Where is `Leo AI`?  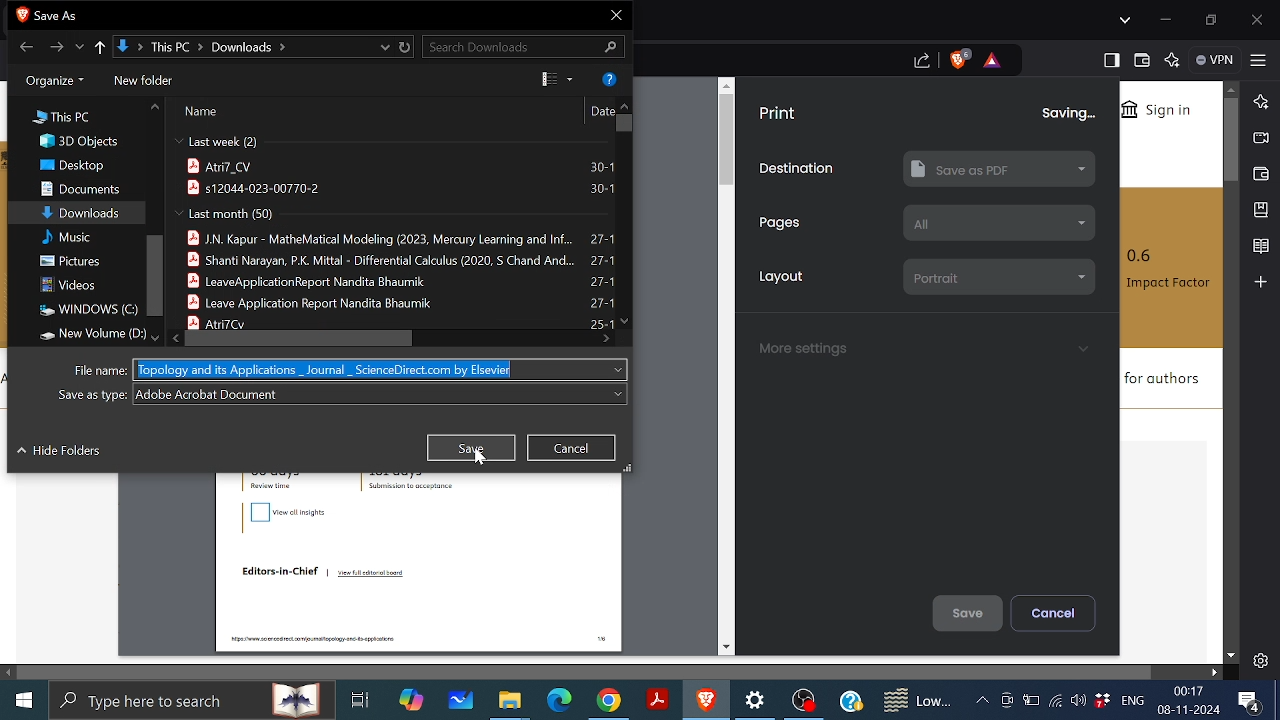
Leo AI is located at coordinates (1259, 102).